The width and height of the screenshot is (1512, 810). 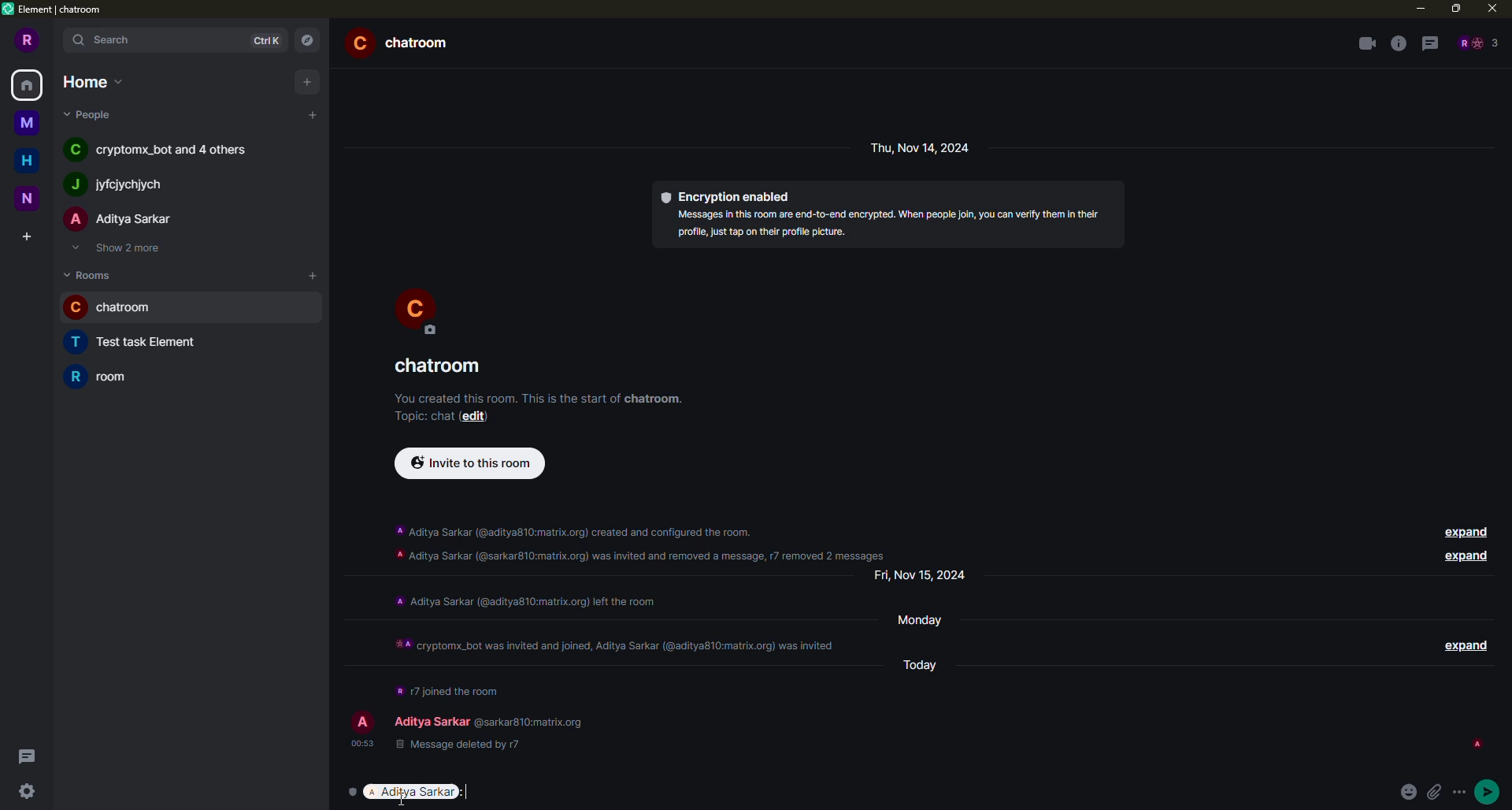 I want to click on room, so click(x=143, y=343).